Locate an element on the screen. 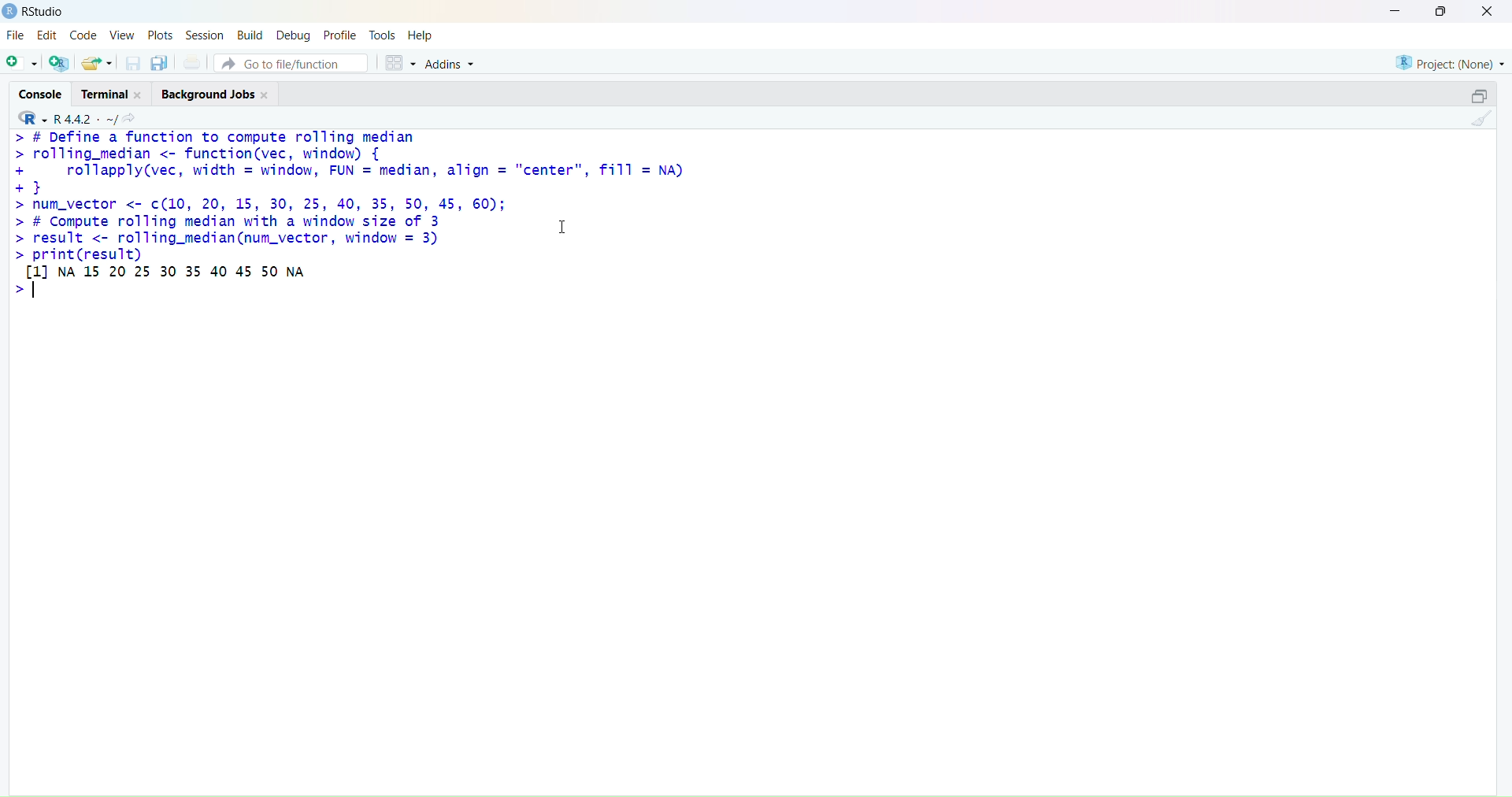 The width and height of the screenshot is (1512, 797). project (none) is located at coordinates (1450, 63).